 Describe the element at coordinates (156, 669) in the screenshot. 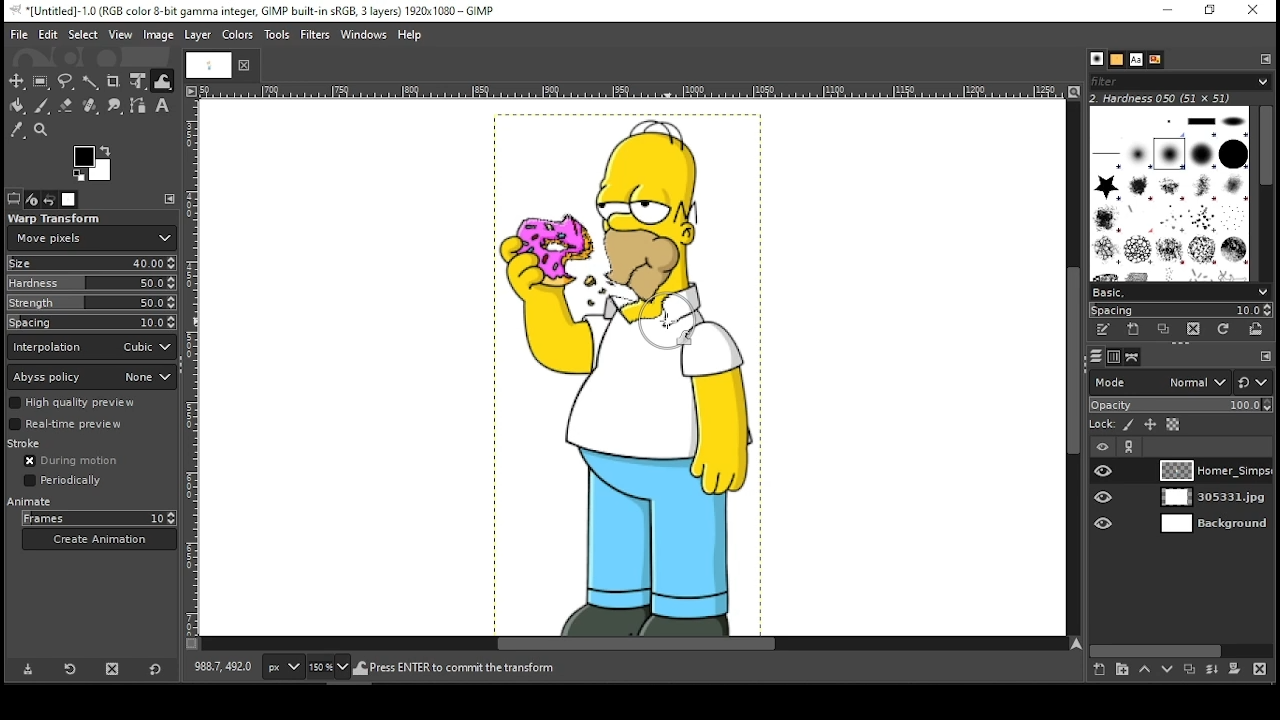

I see `reset to default values` at that location.